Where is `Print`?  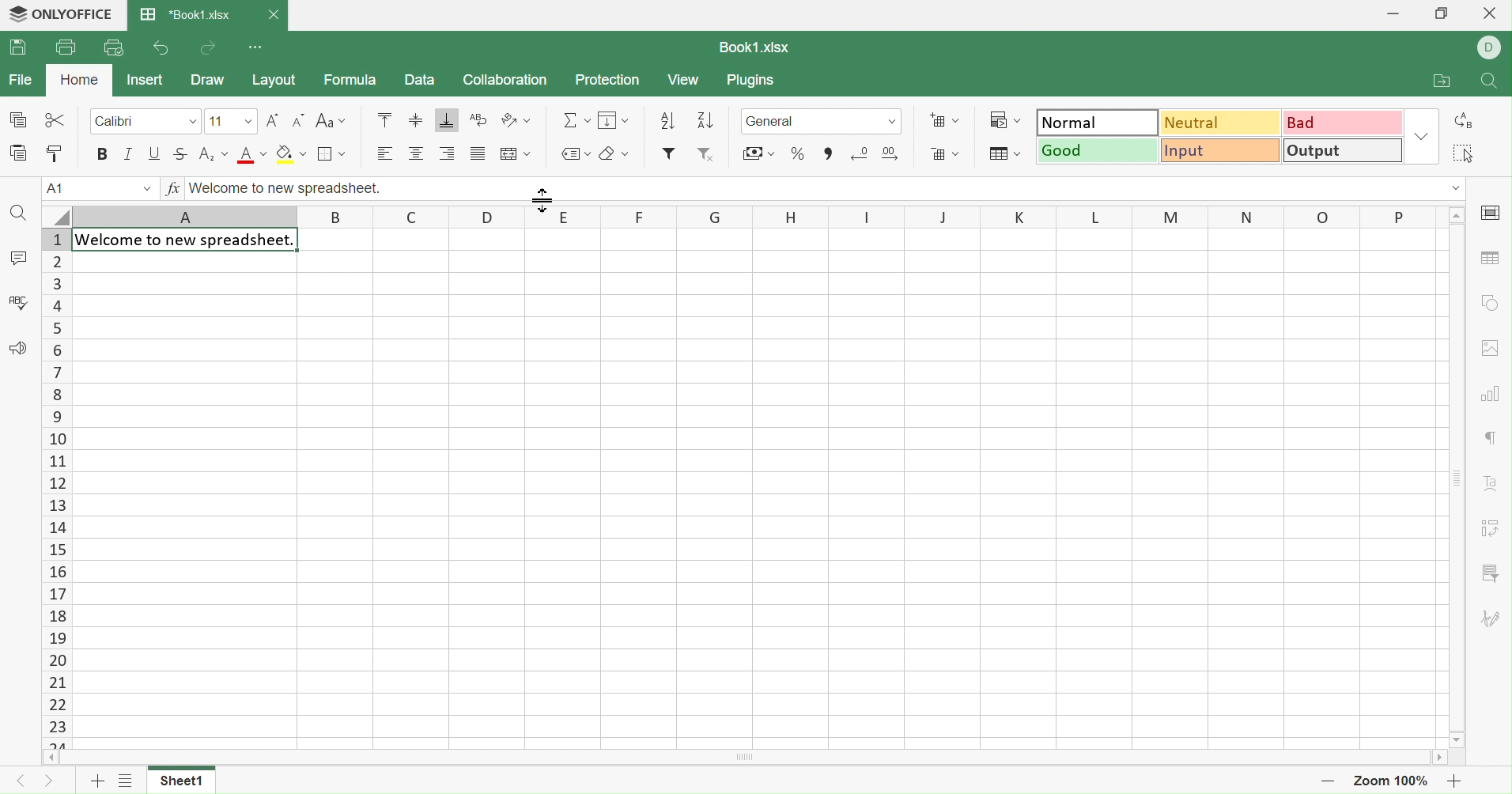 Print is located at coordinates (66, 45).